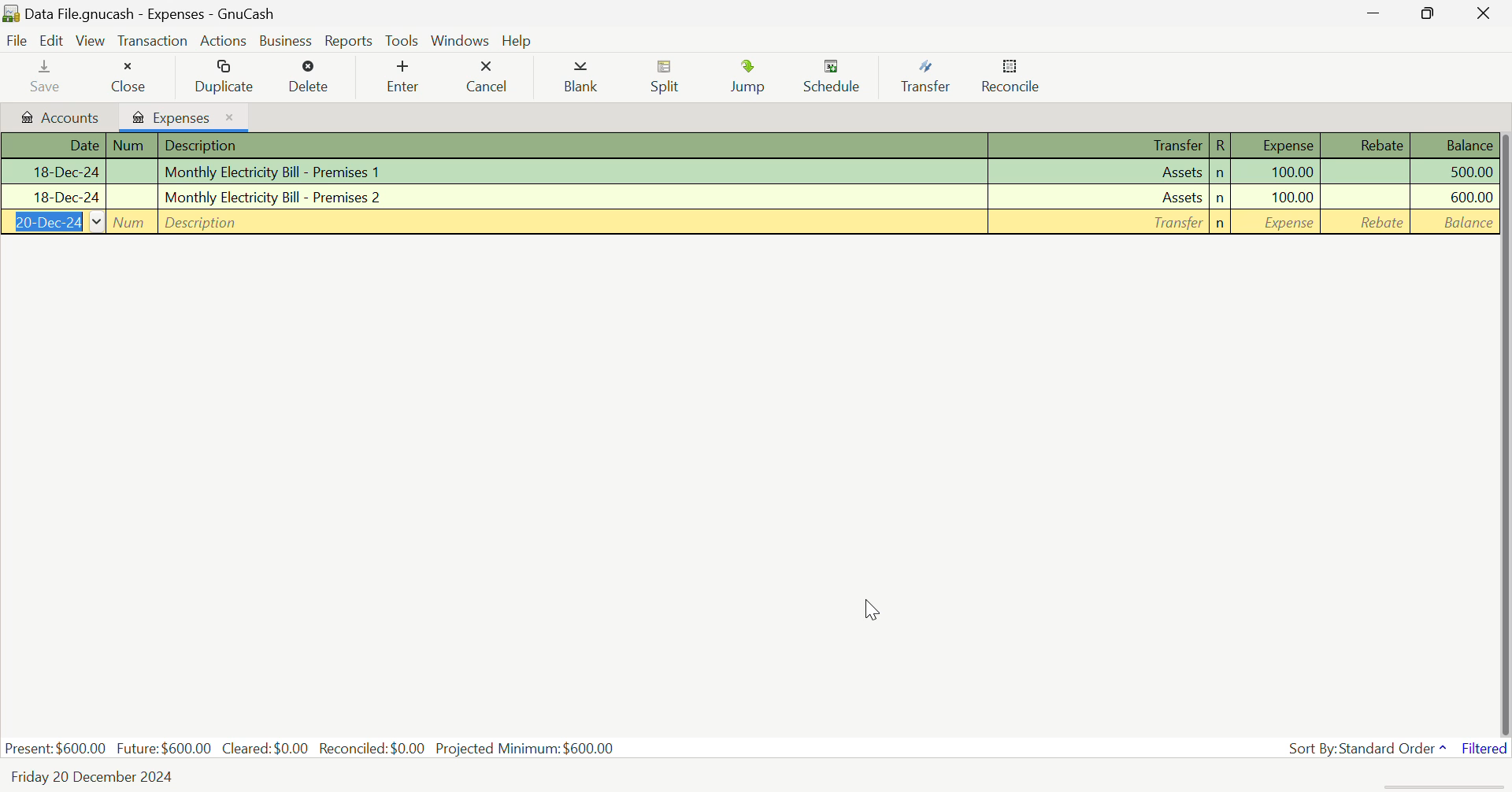  Describe the element at coordinates (150, 41) in the screenshot. I see `Transaction` at that location.